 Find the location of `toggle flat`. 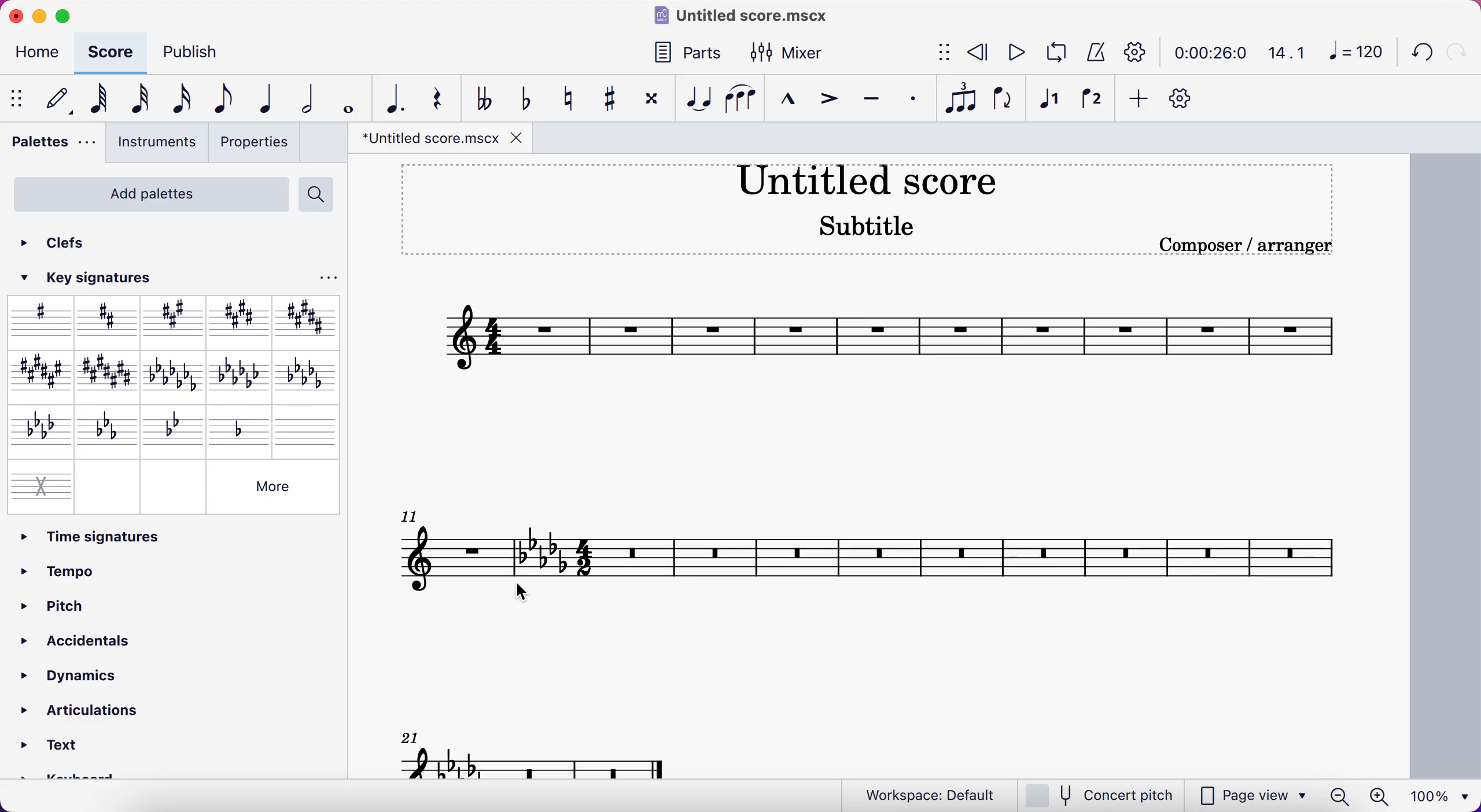

toggle flat is located at coordinates (526, 97).